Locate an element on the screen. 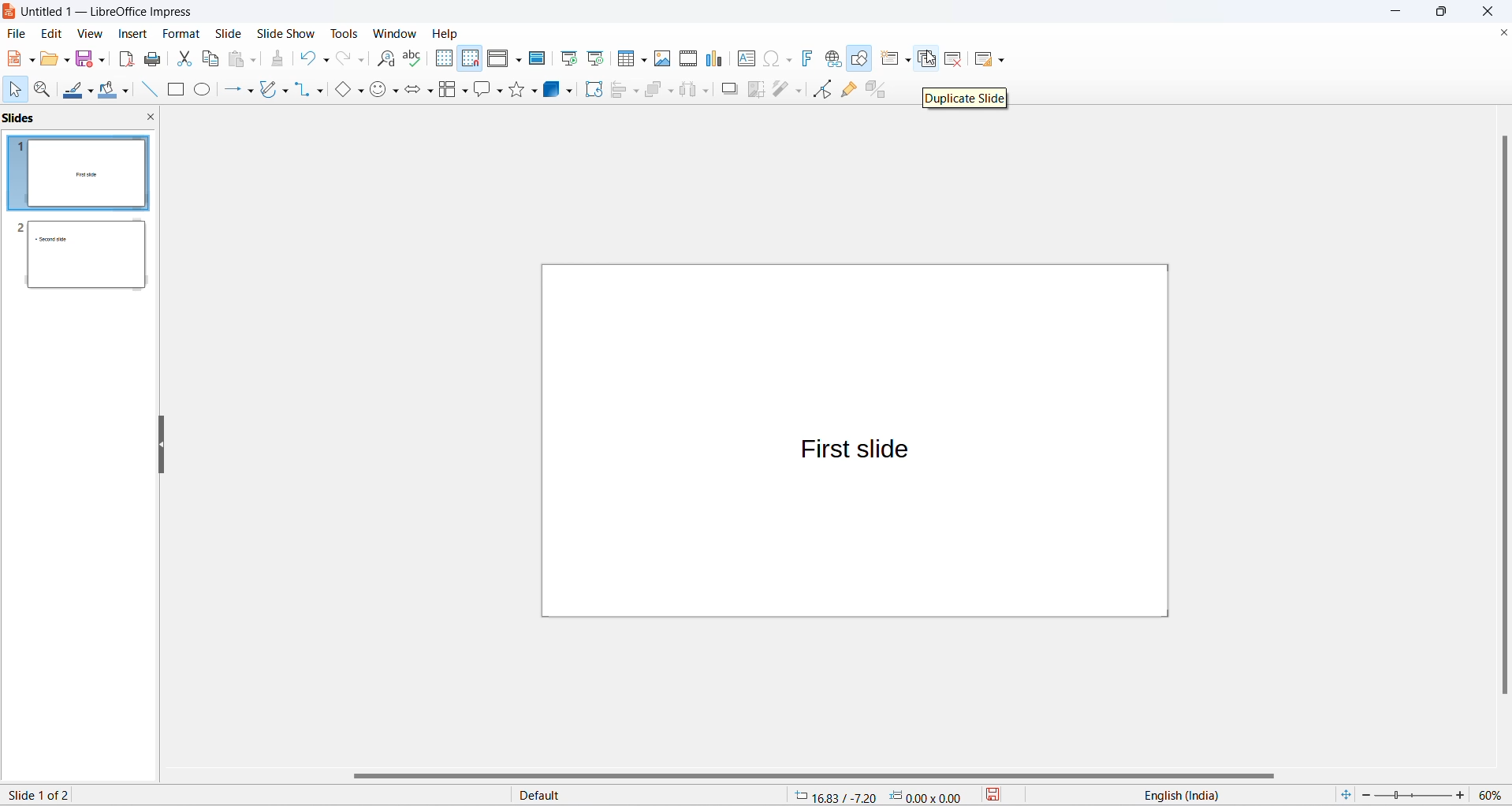 This screenshot has width=1512, height=806. display views options is located at coordinates (520, 60).